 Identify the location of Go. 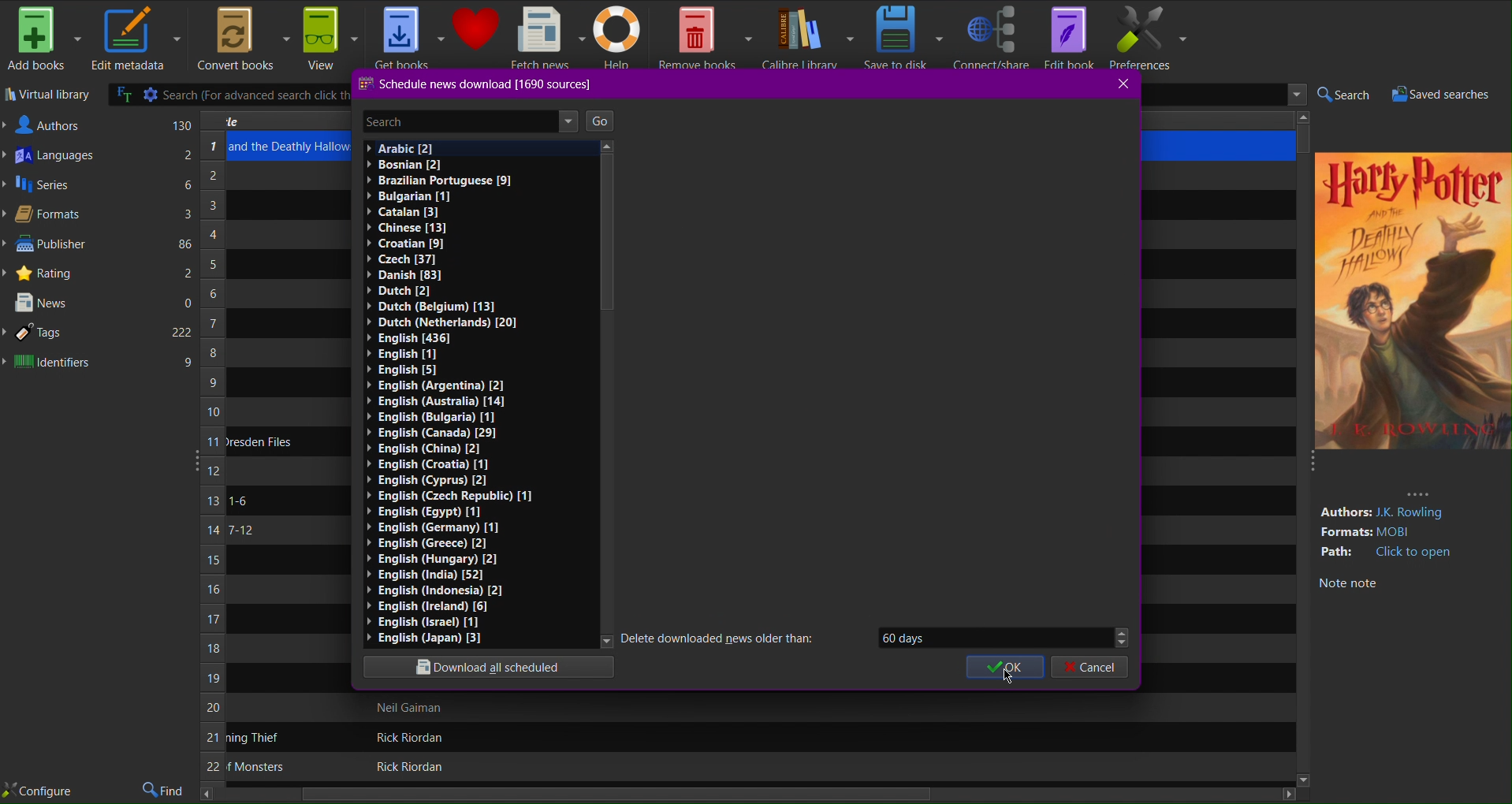
(600, 121).